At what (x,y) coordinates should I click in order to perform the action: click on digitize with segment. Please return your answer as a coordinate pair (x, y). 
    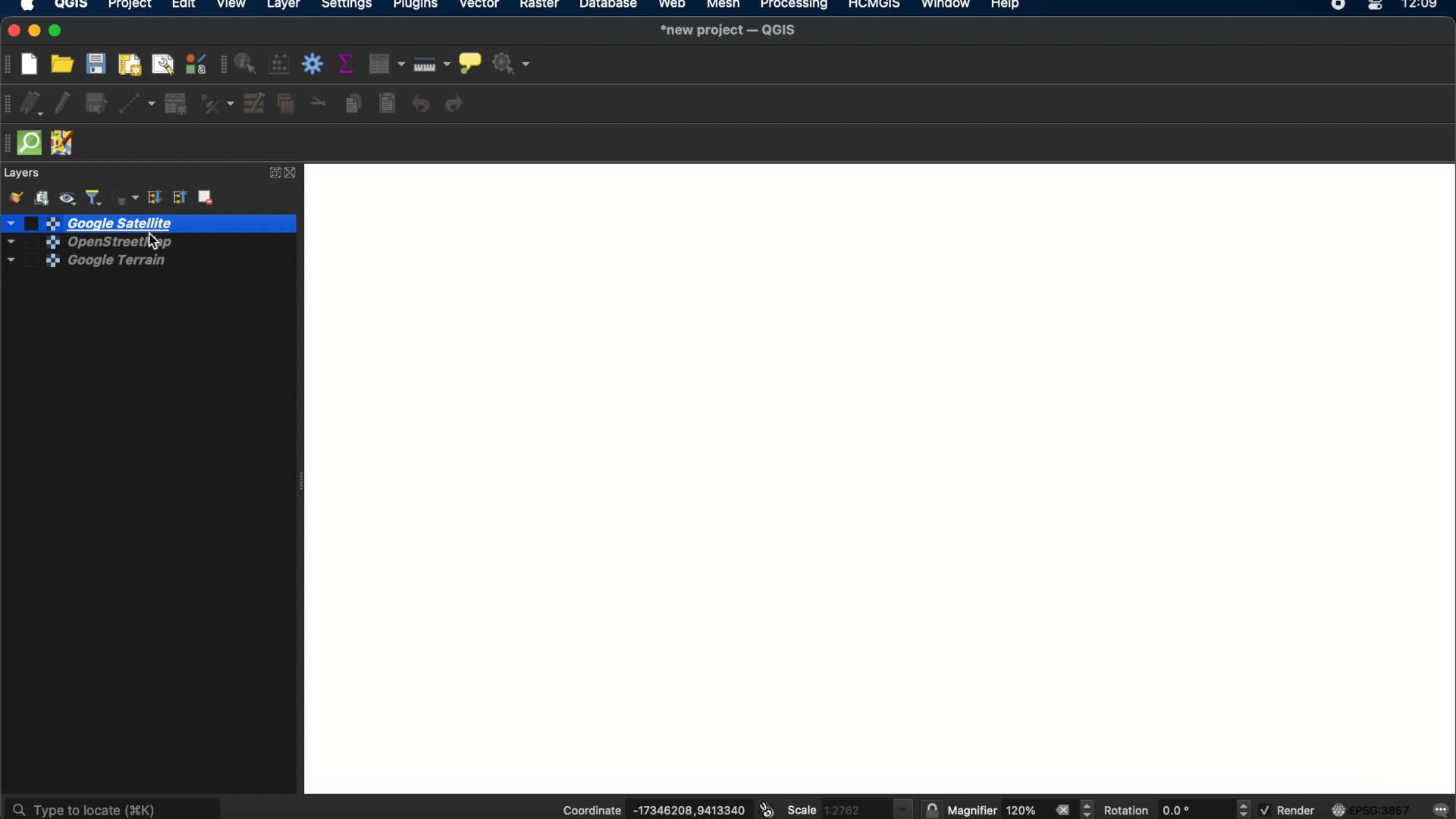
    Looking at the image, I should click on (139, 103).